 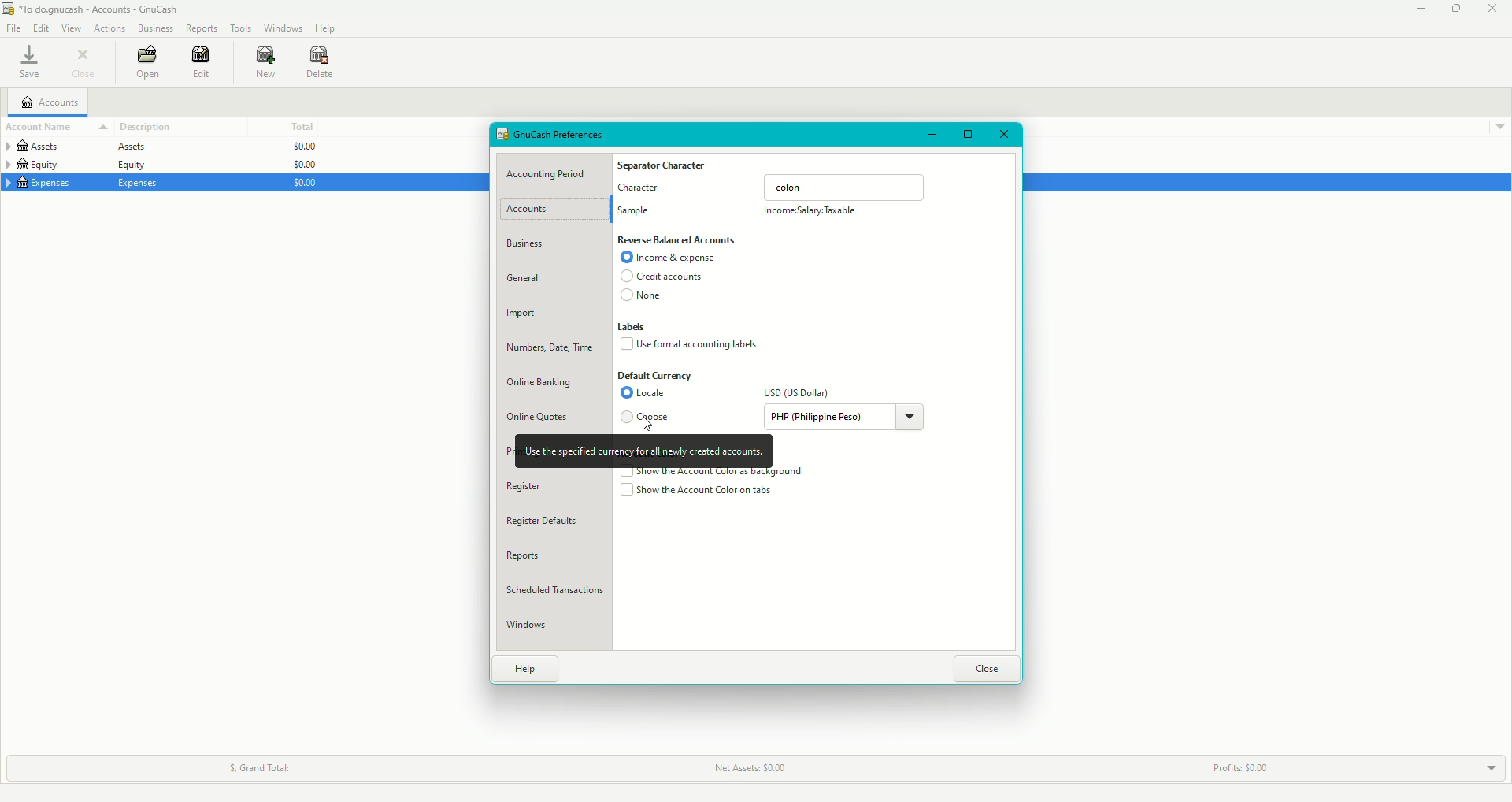 I want to click on USD, so click(x=798, y=393).